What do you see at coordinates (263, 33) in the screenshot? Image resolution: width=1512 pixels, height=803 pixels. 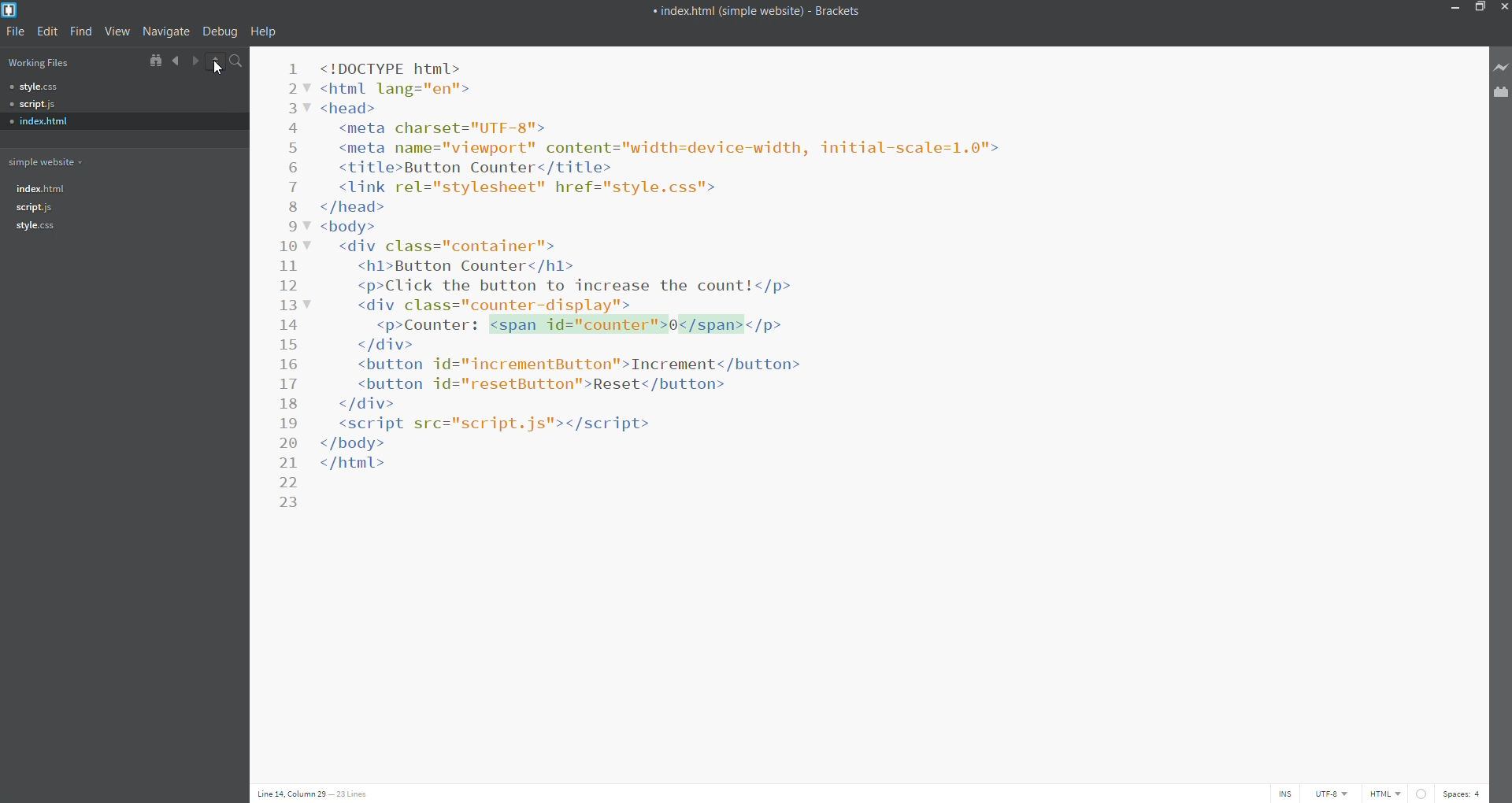 I see `help` at bounding box center [263, 33].